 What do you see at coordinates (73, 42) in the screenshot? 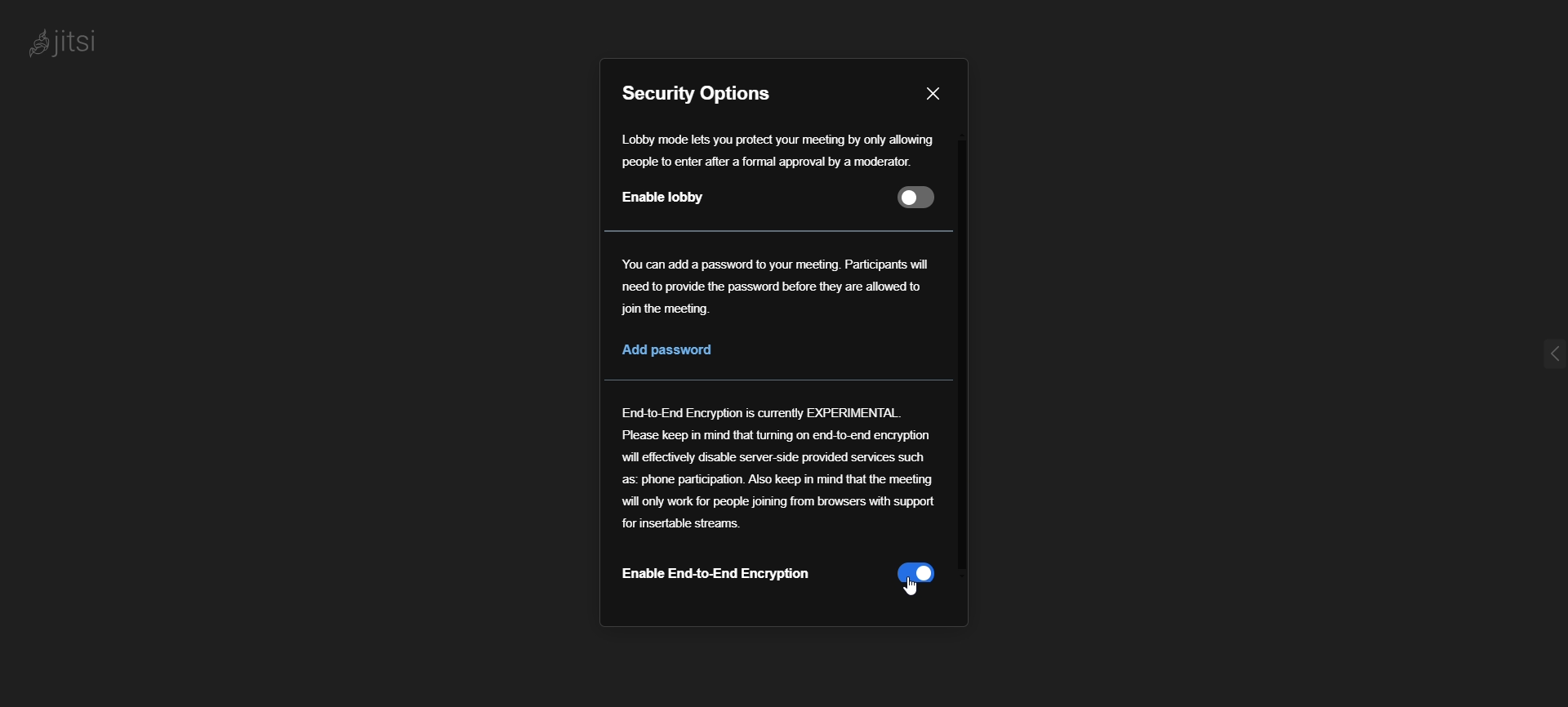
I see `Jitsi` at bounding box center [73, 42].